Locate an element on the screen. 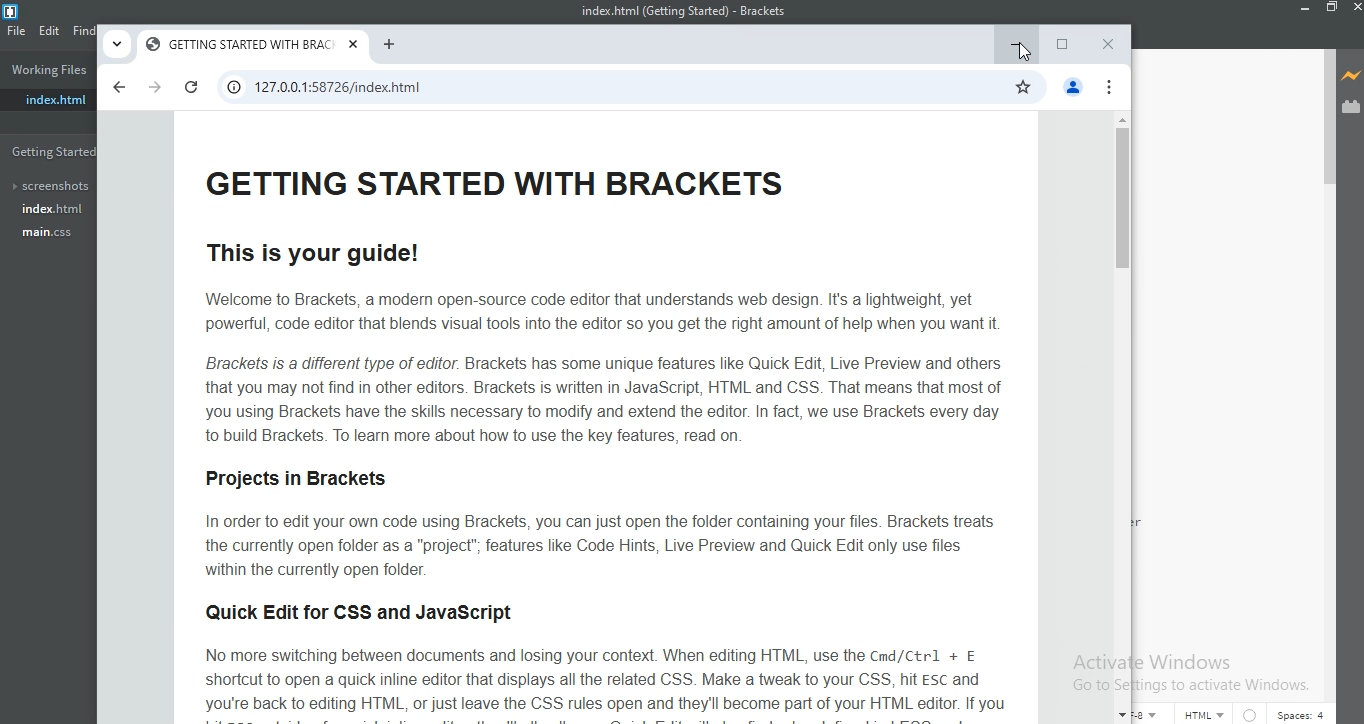 This screenshot has height=724, width=1364. logo is located at coordinates (16, 10).